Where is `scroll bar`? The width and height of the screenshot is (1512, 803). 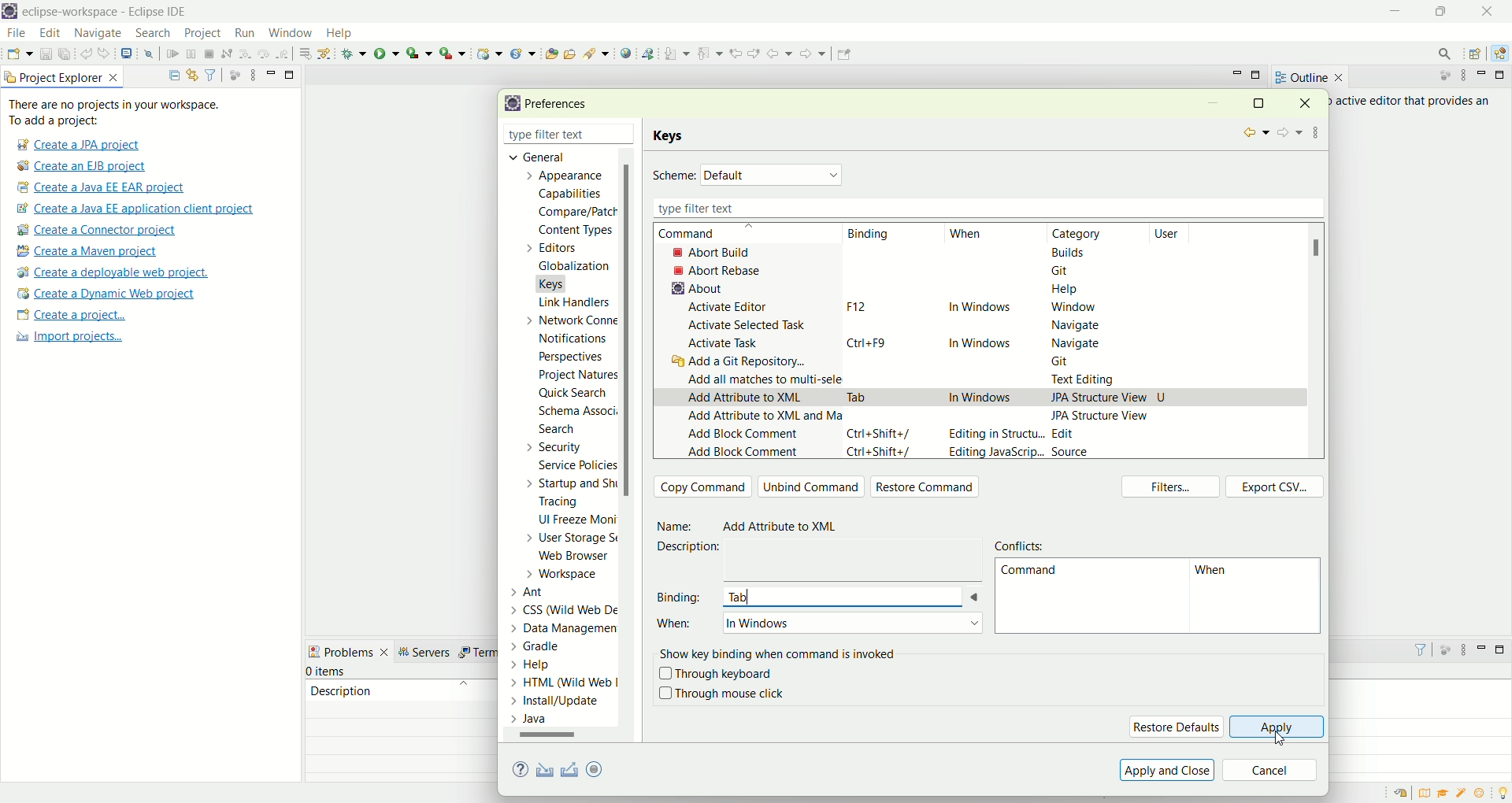
scroll bar is located at coordinates (554, 738).